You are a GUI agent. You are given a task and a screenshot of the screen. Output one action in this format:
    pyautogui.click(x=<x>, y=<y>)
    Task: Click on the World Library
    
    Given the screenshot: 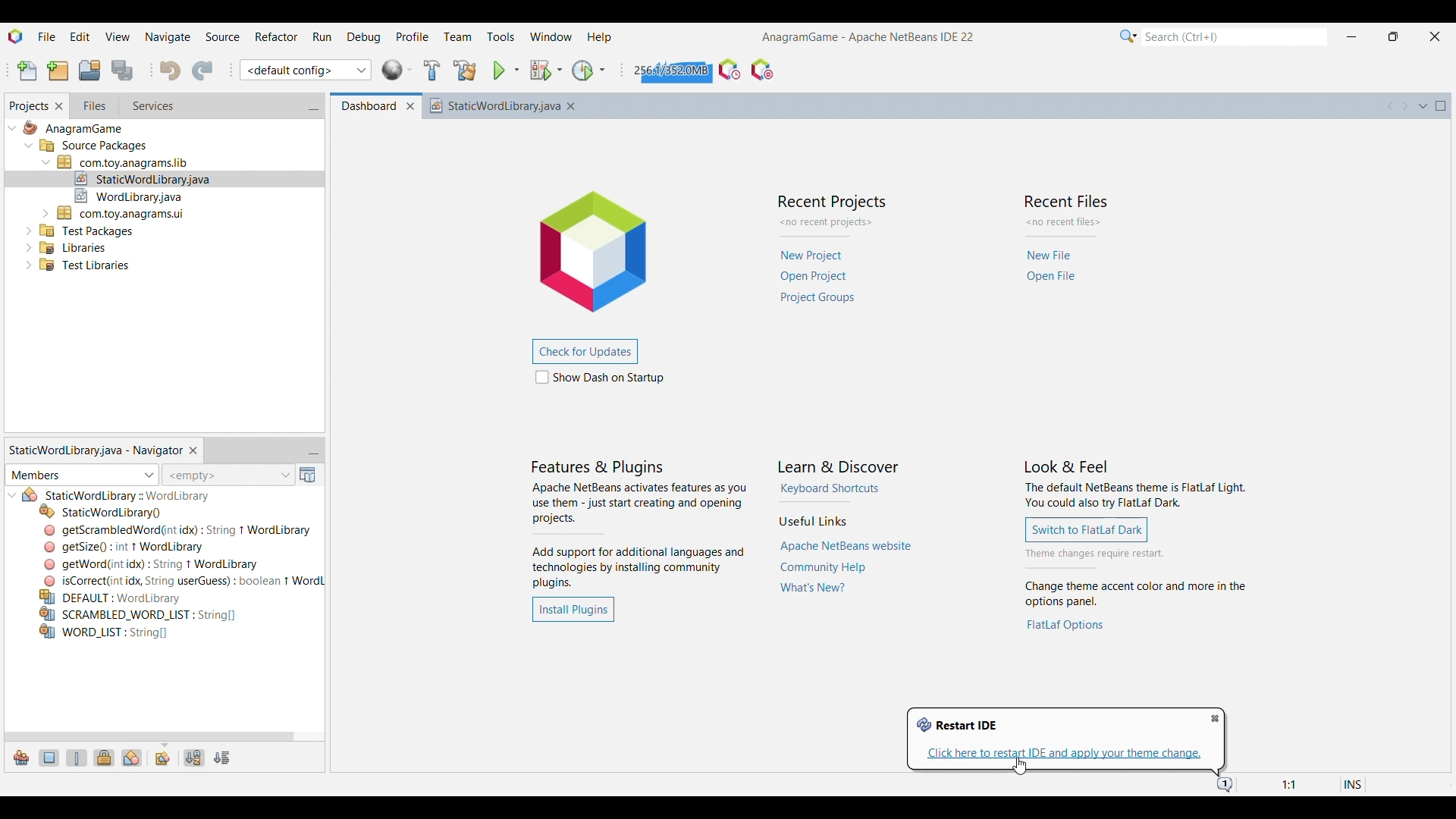 What is the action you would take?
    pyautogui.click(x=397, y=70)
    